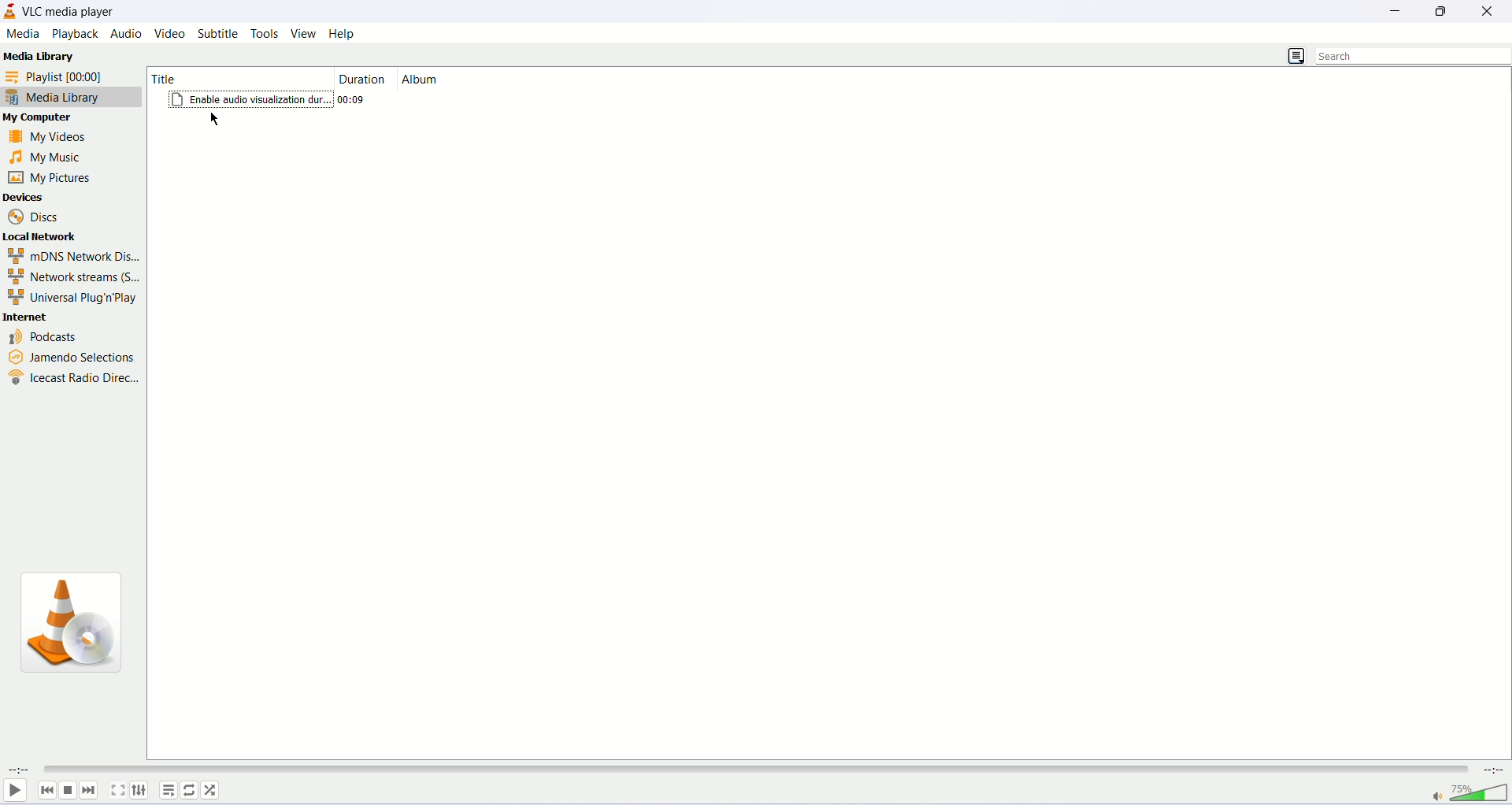  Describe the element at coordinates (72, 11) in the screenshot. I see `VLC media player` at that location.